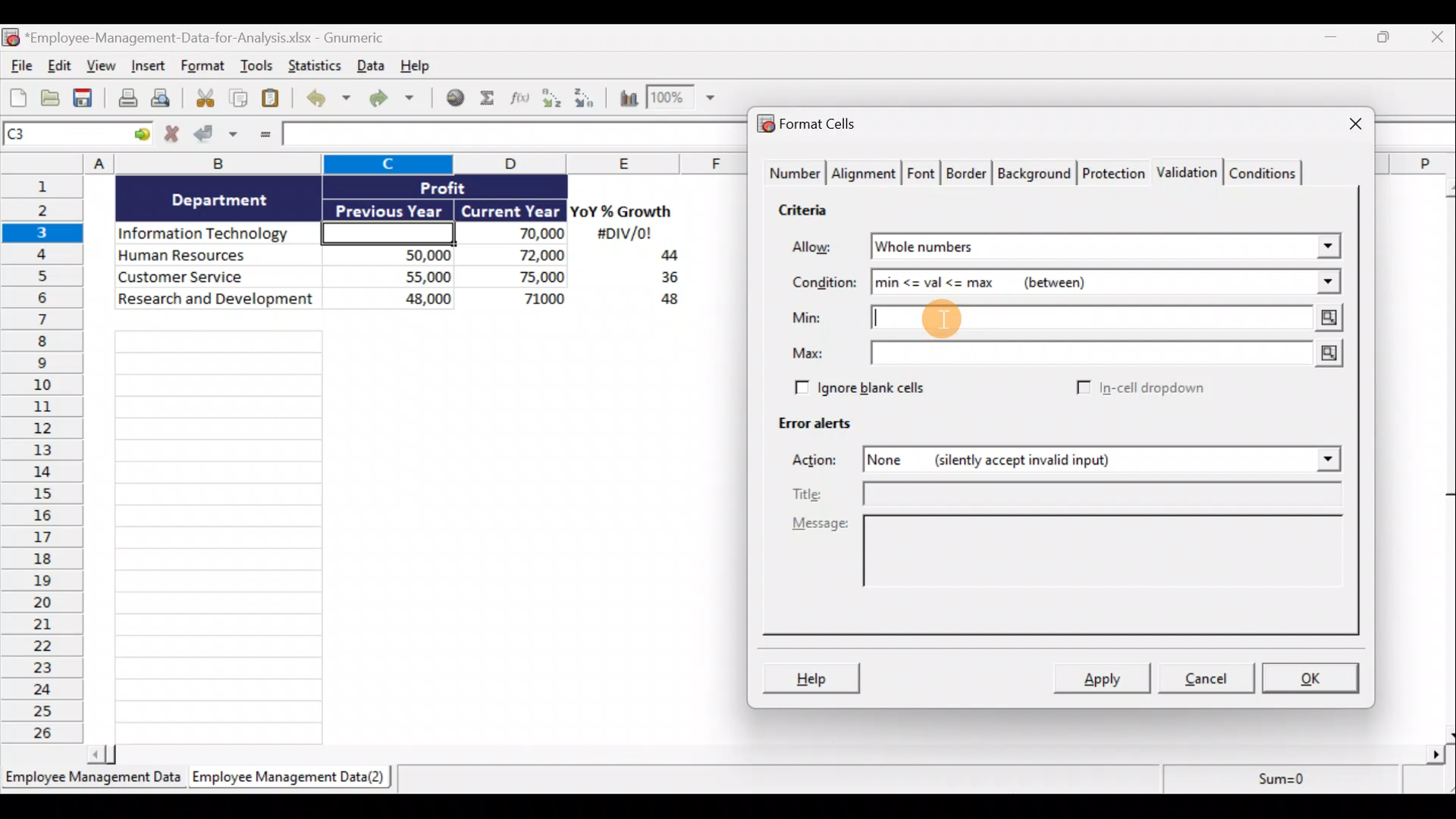 This screenshot has height=819, width=1456. Describe the element at coordinates (510, 136) in the screenshot. I see `Formula bar` at that location.